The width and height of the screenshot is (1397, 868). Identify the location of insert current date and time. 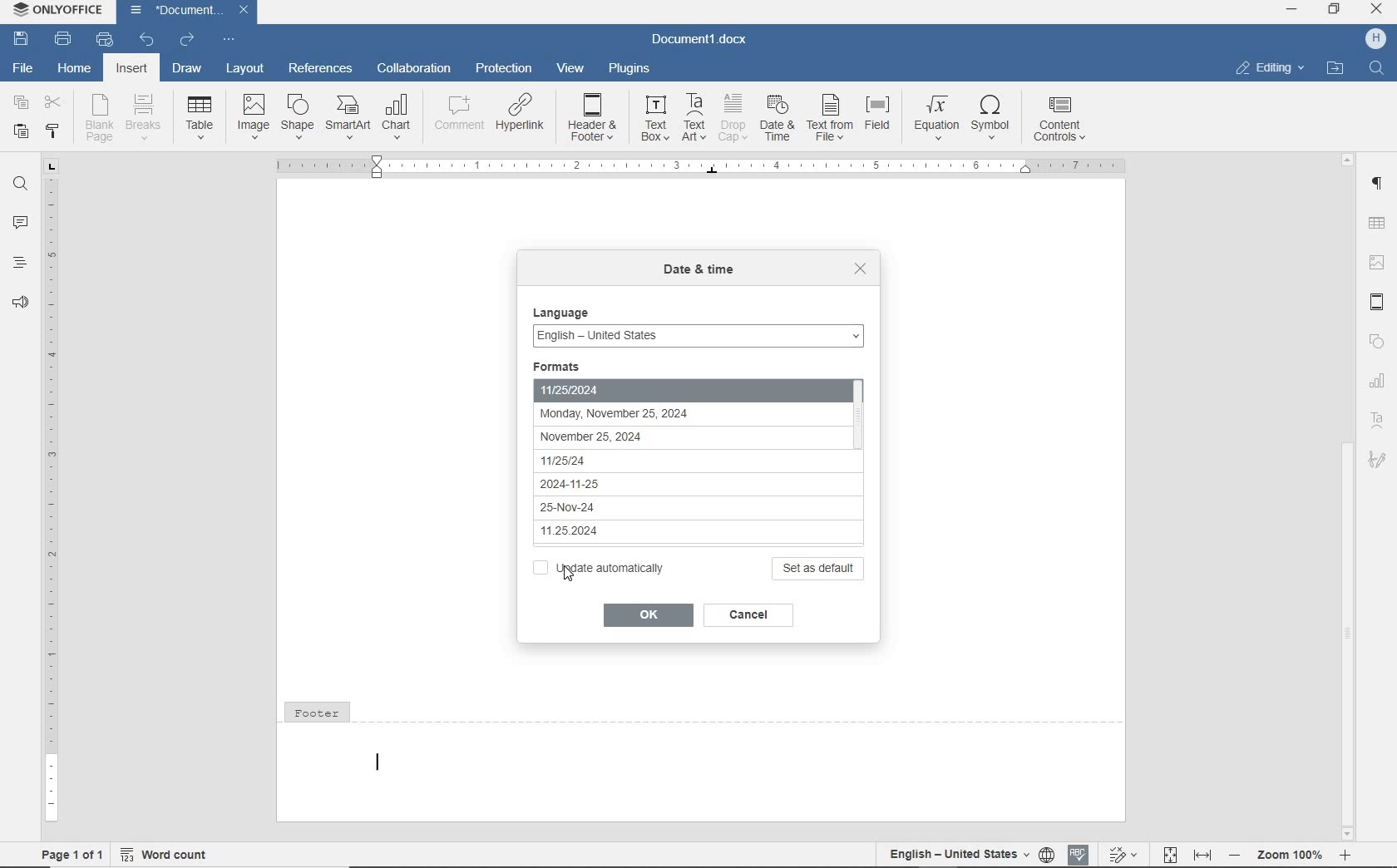
(746, 165).